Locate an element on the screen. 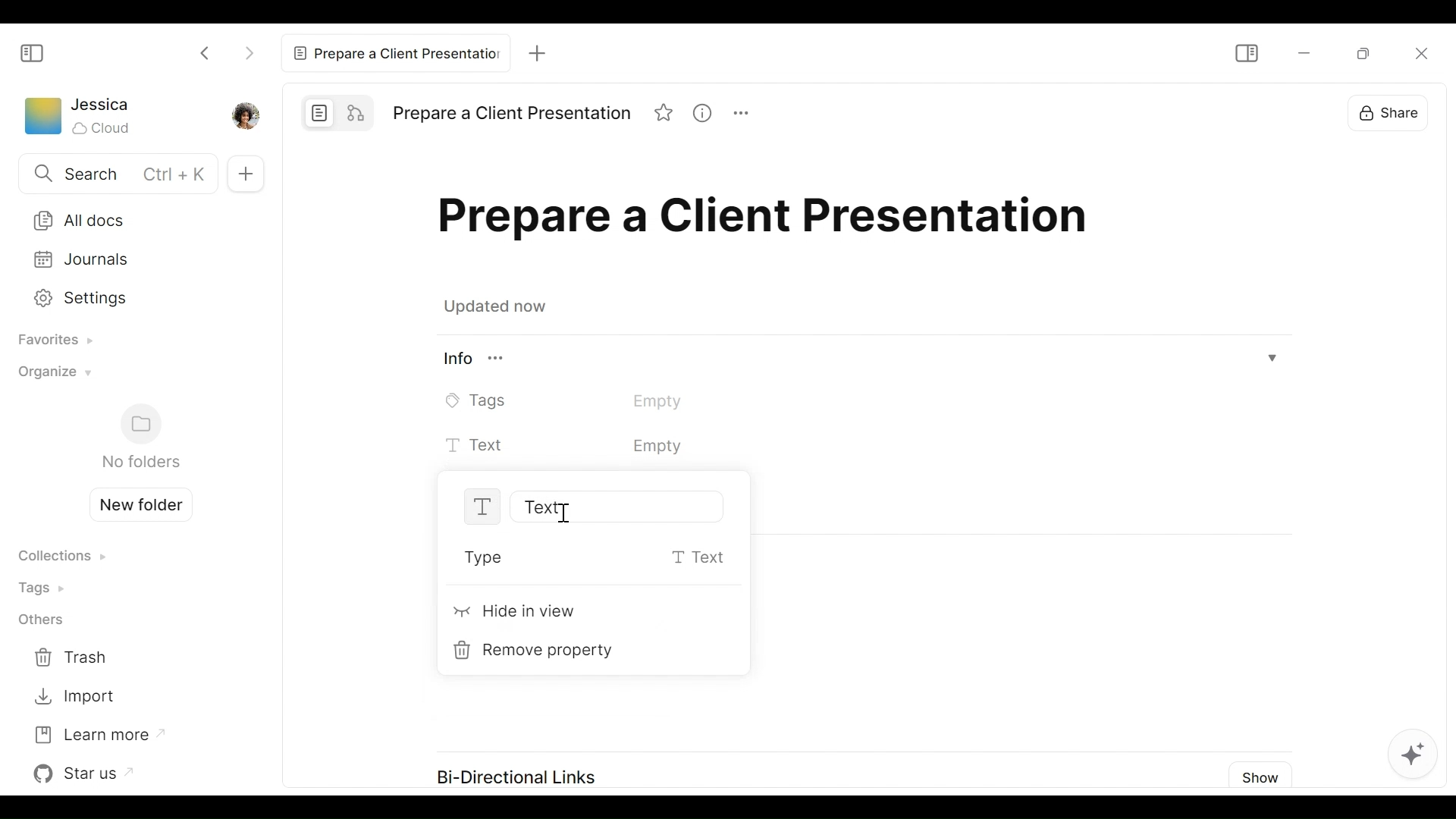 Image resolution: width=1456 pixels, height=819 pixels. Show/Hide Sidebar is located at coordinates (1245, 53).